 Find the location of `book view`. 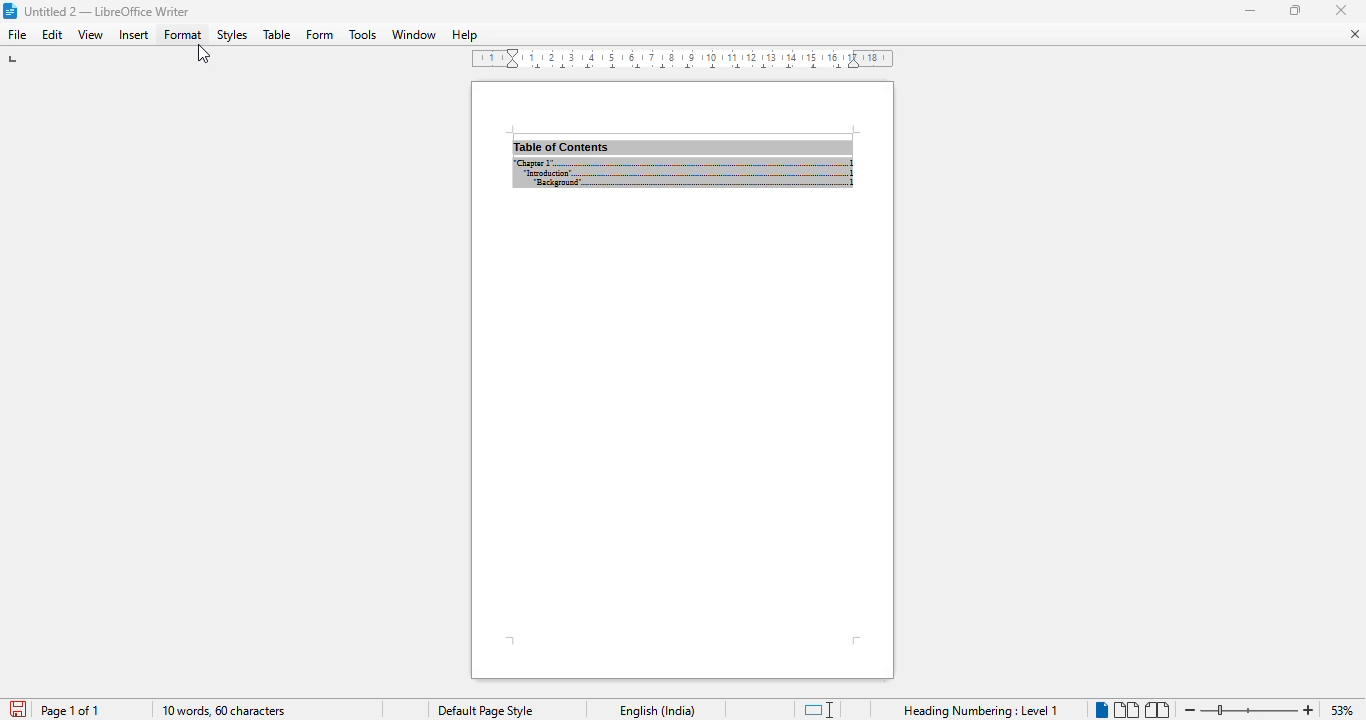

book view is located at coordinates (1156, 710).